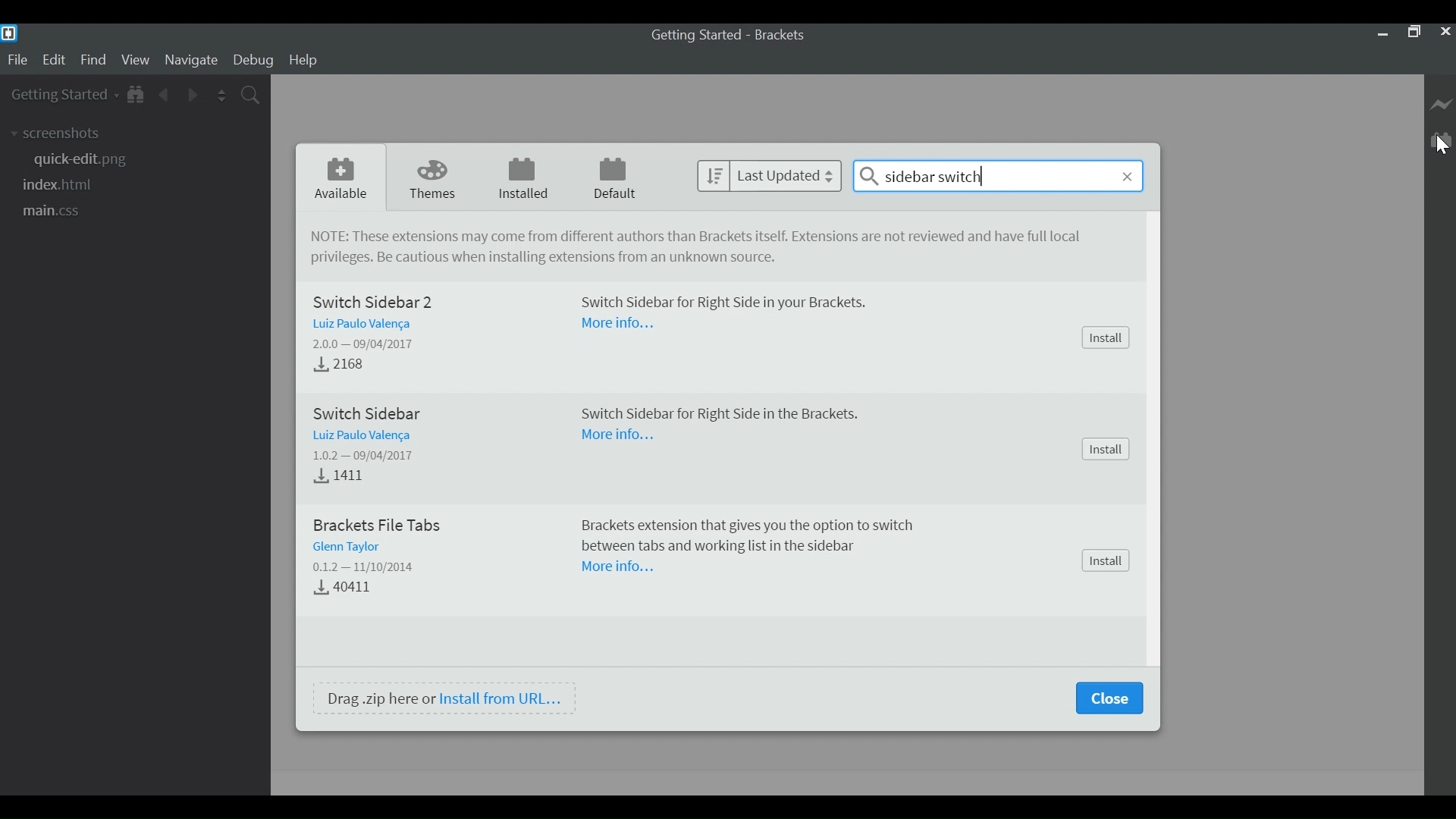  I want to click on Manager Extension, so click(1439, 140).